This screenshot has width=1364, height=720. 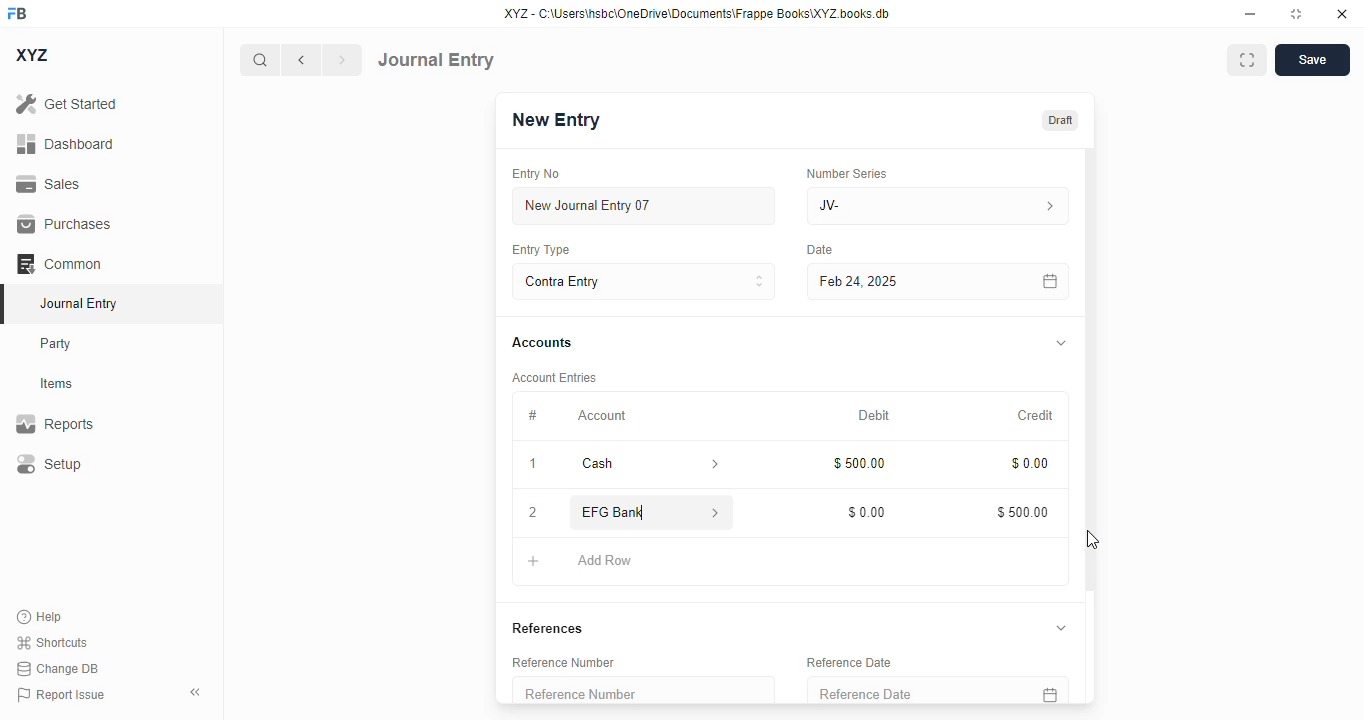 I want to click on debit, so click(x=875, y=415).